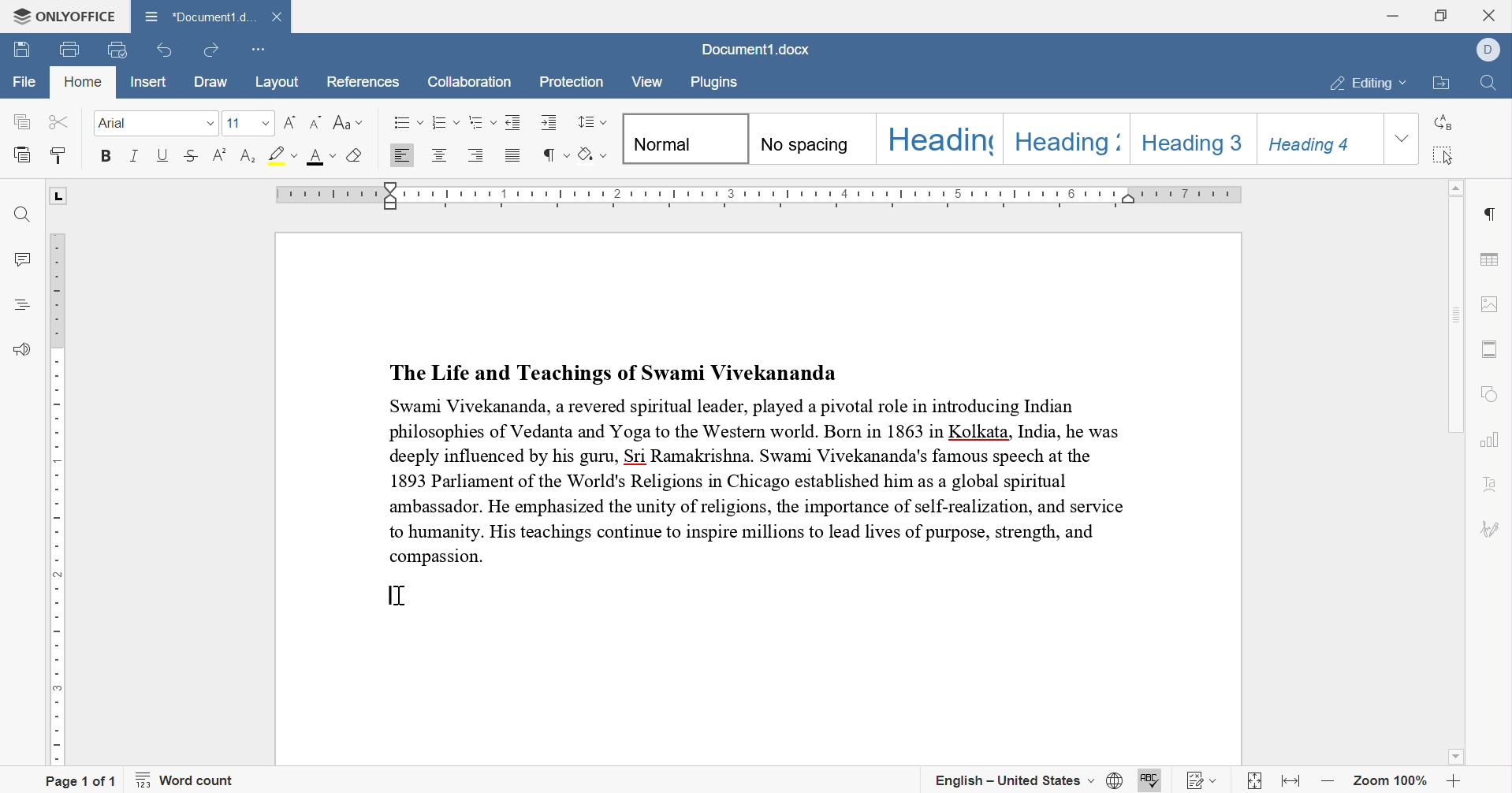 The height and width of the screenshot is (793, 1512). I want to click on file, so click(25, 82).